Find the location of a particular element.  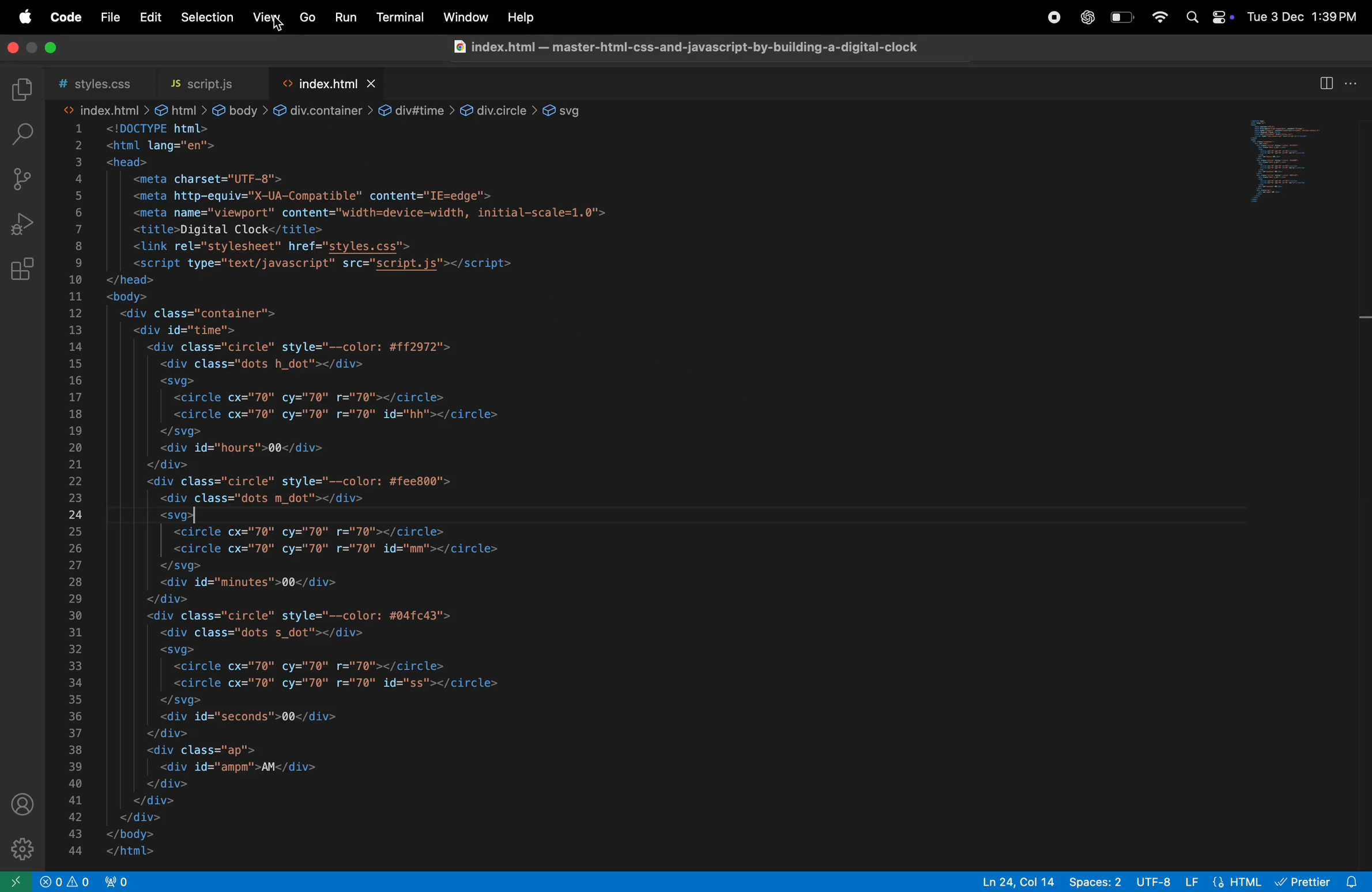

file is located at coordinates (107, 18).